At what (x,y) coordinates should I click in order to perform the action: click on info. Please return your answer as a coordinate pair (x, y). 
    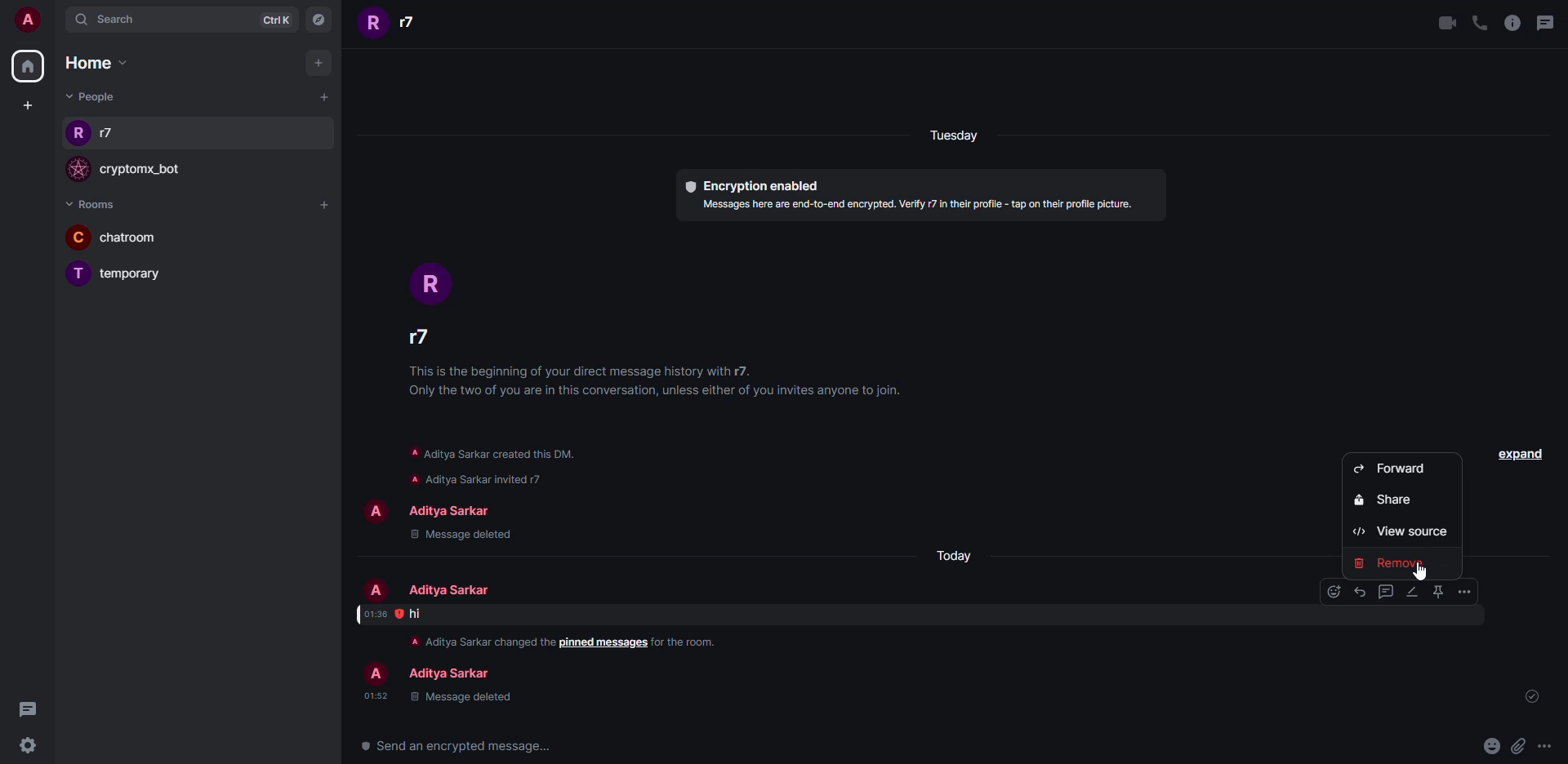
    Looking at the image, I should click on (476, 641).